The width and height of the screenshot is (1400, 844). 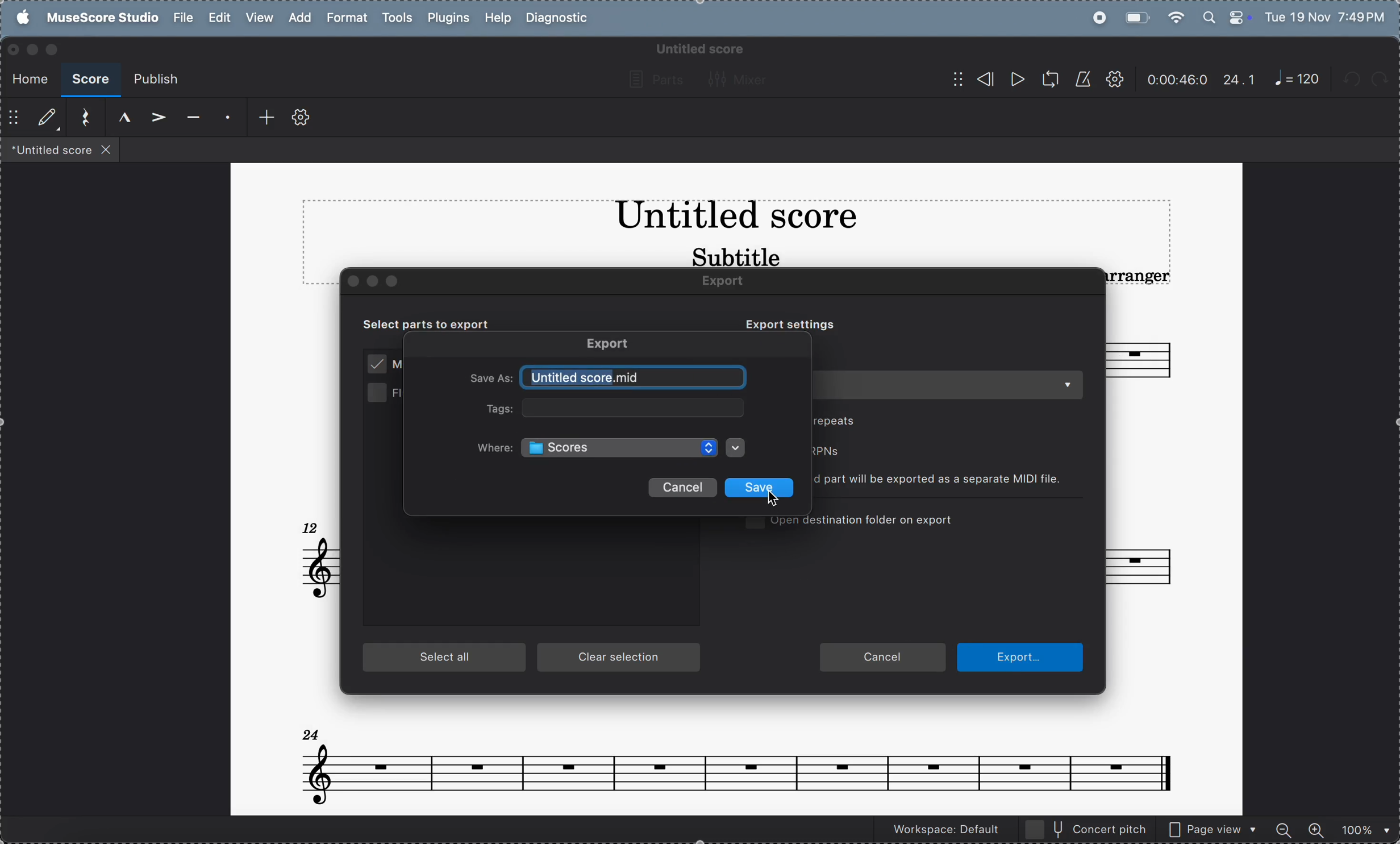 What do you see at coordinates (611, 345) in the screenshot?
I see `Export` at bounding box center [611, 345].